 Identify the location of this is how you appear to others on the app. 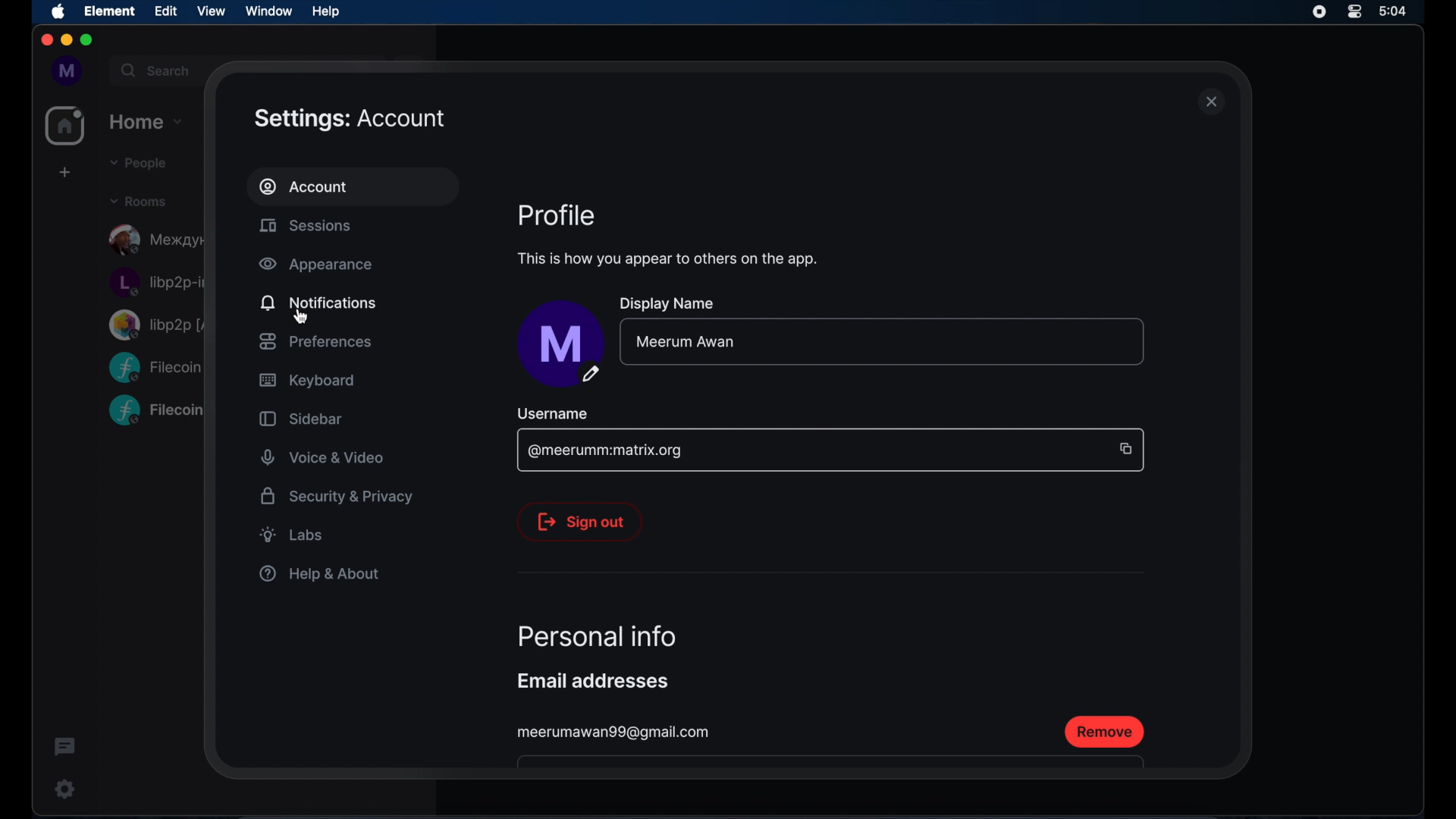
(667, 259).